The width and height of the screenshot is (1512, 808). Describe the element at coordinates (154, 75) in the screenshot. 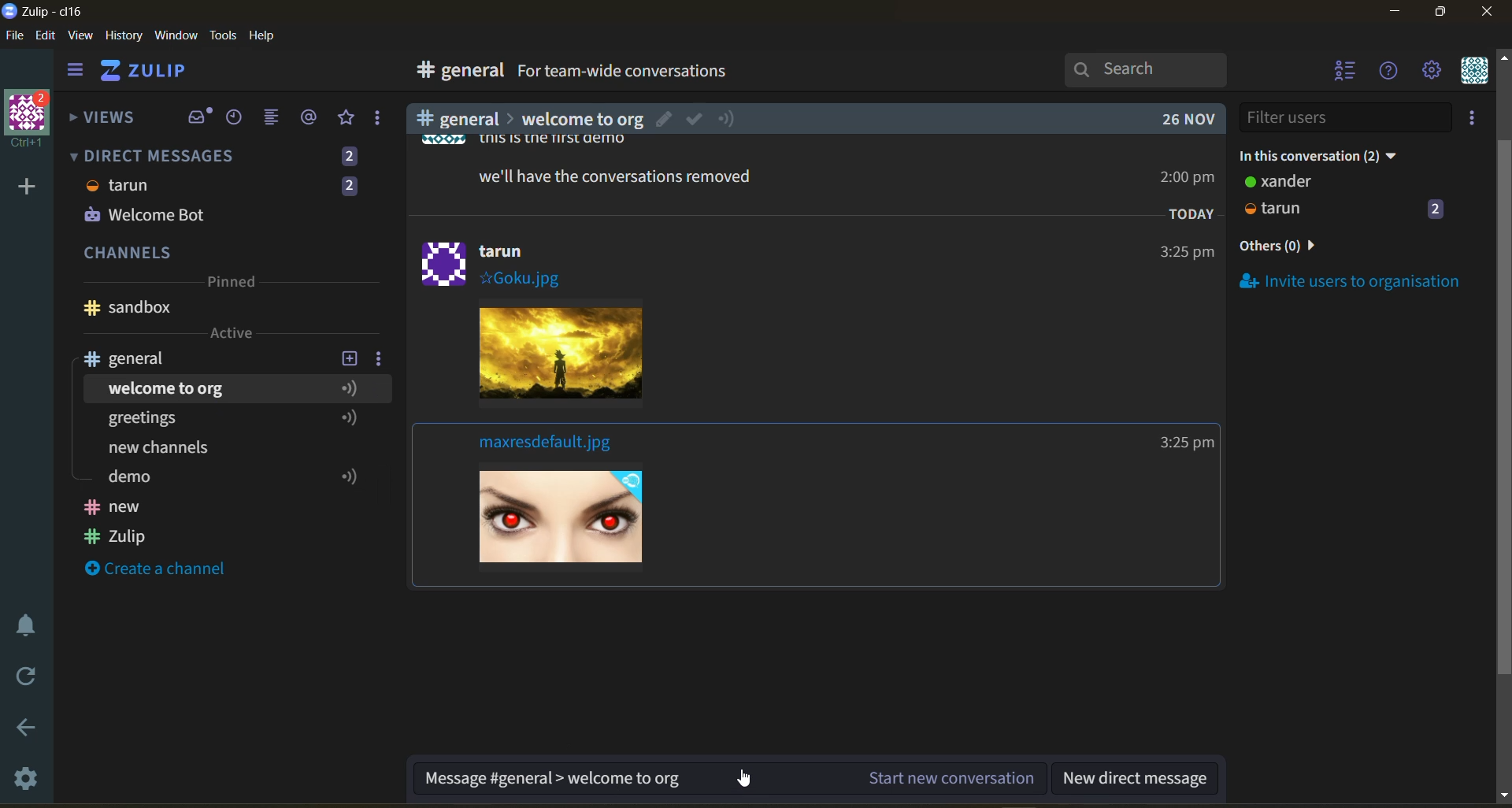

I see `home view` at that location.